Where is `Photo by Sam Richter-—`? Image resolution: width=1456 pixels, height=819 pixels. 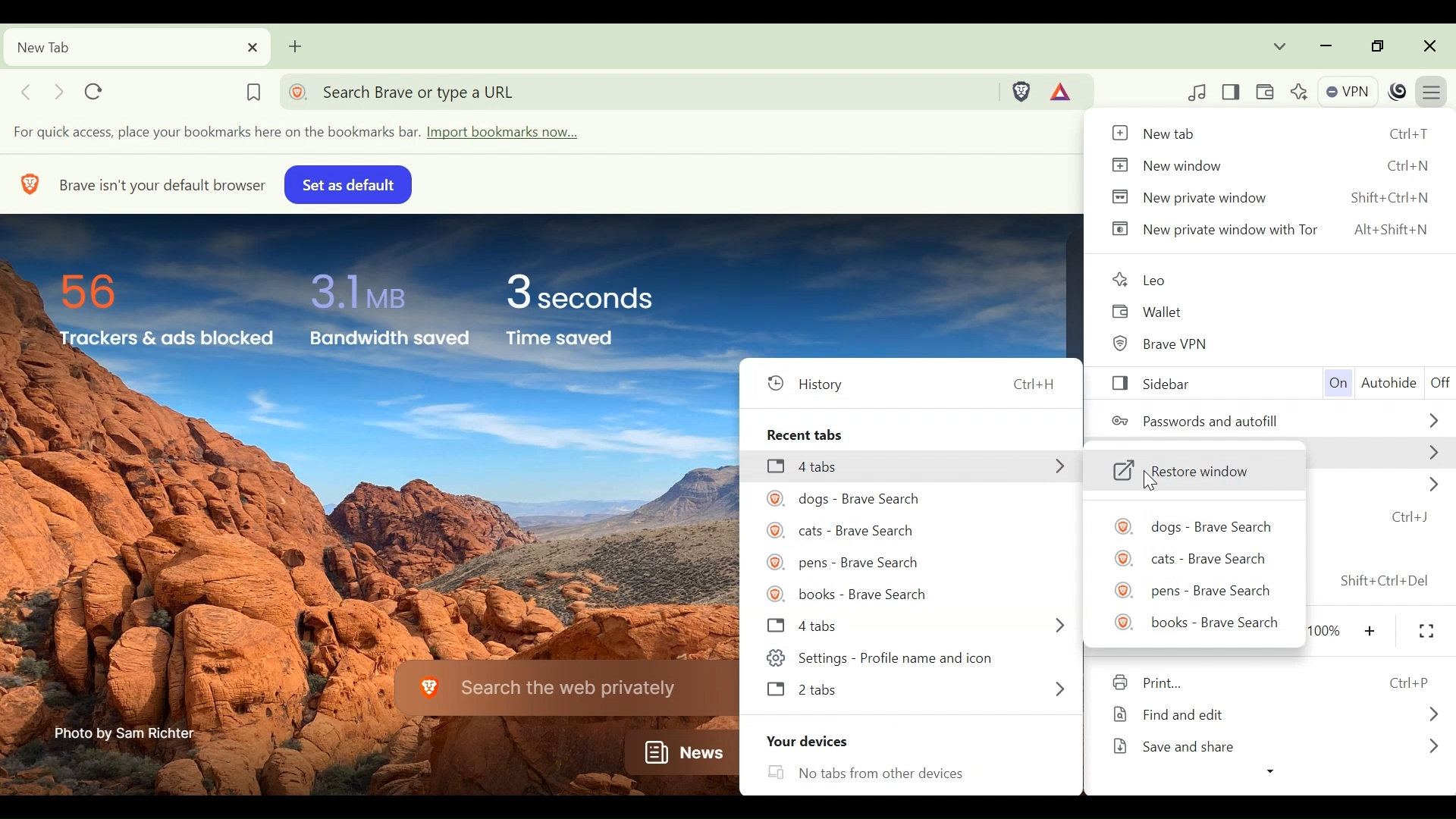
Photo by Sam Richter-— is located at coordinates (127, 732).